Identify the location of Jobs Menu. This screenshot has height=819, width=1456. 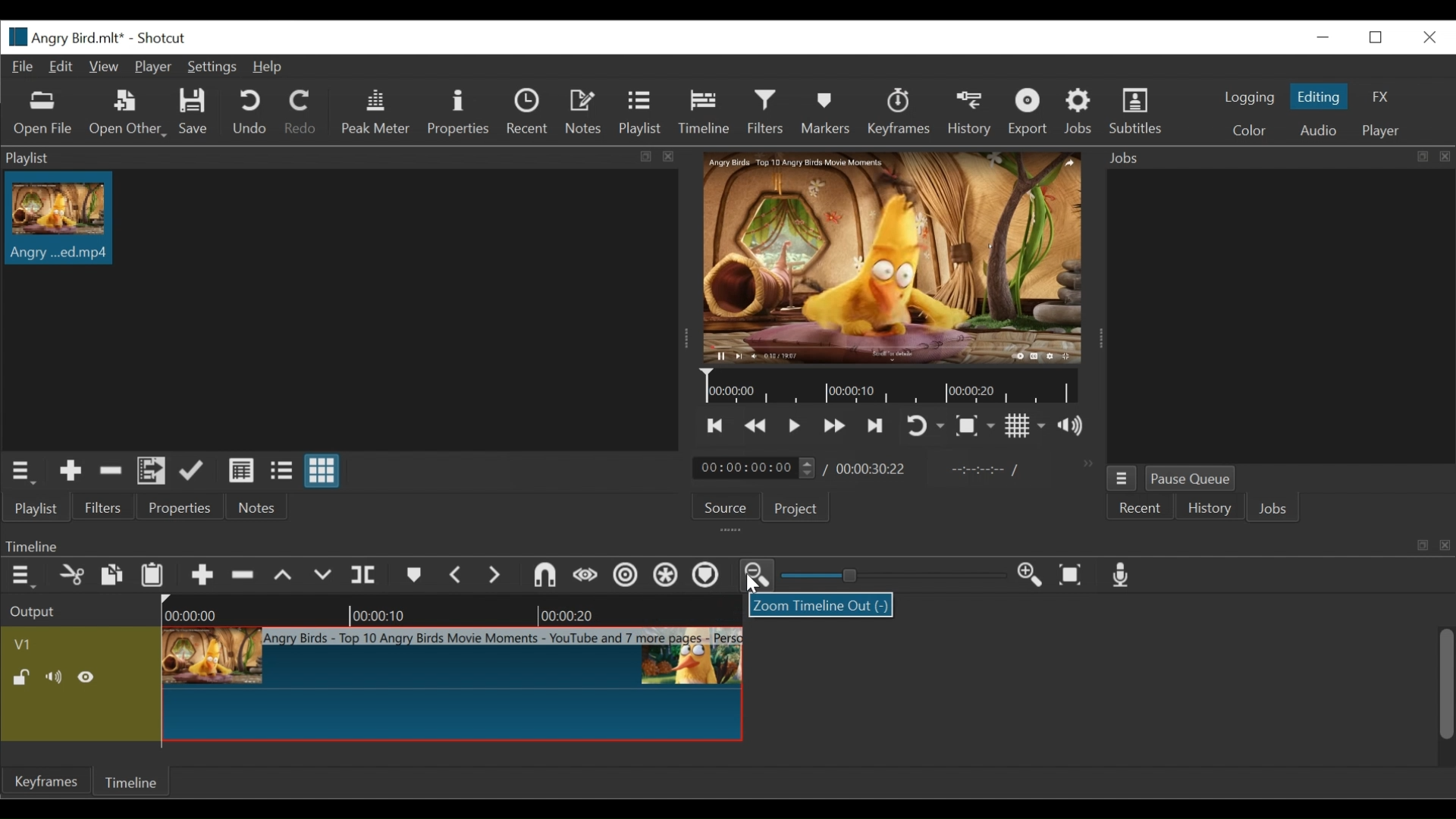
(1122, 480).